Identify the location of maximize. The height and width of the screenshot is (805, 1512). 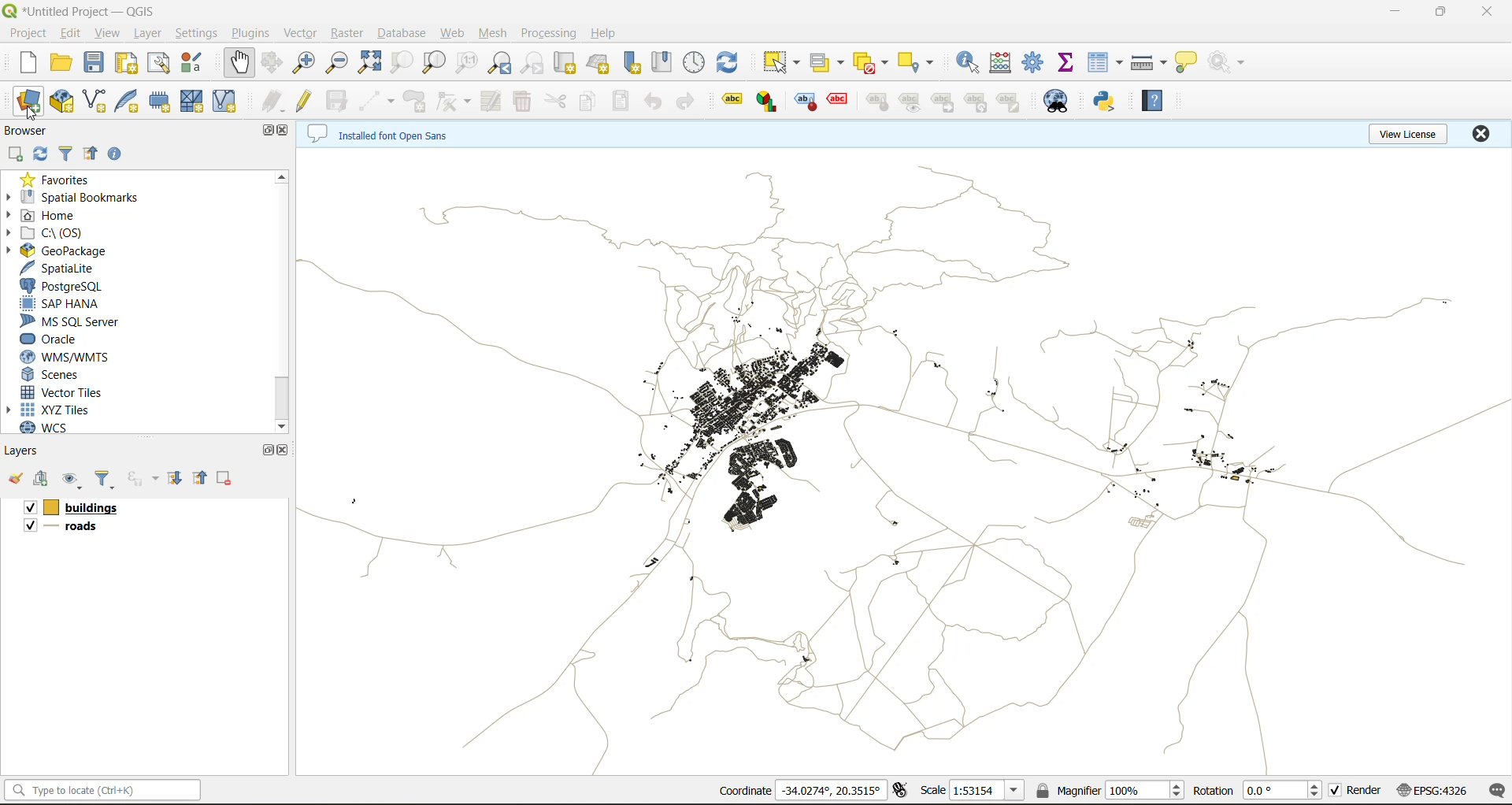
(1442, 12).